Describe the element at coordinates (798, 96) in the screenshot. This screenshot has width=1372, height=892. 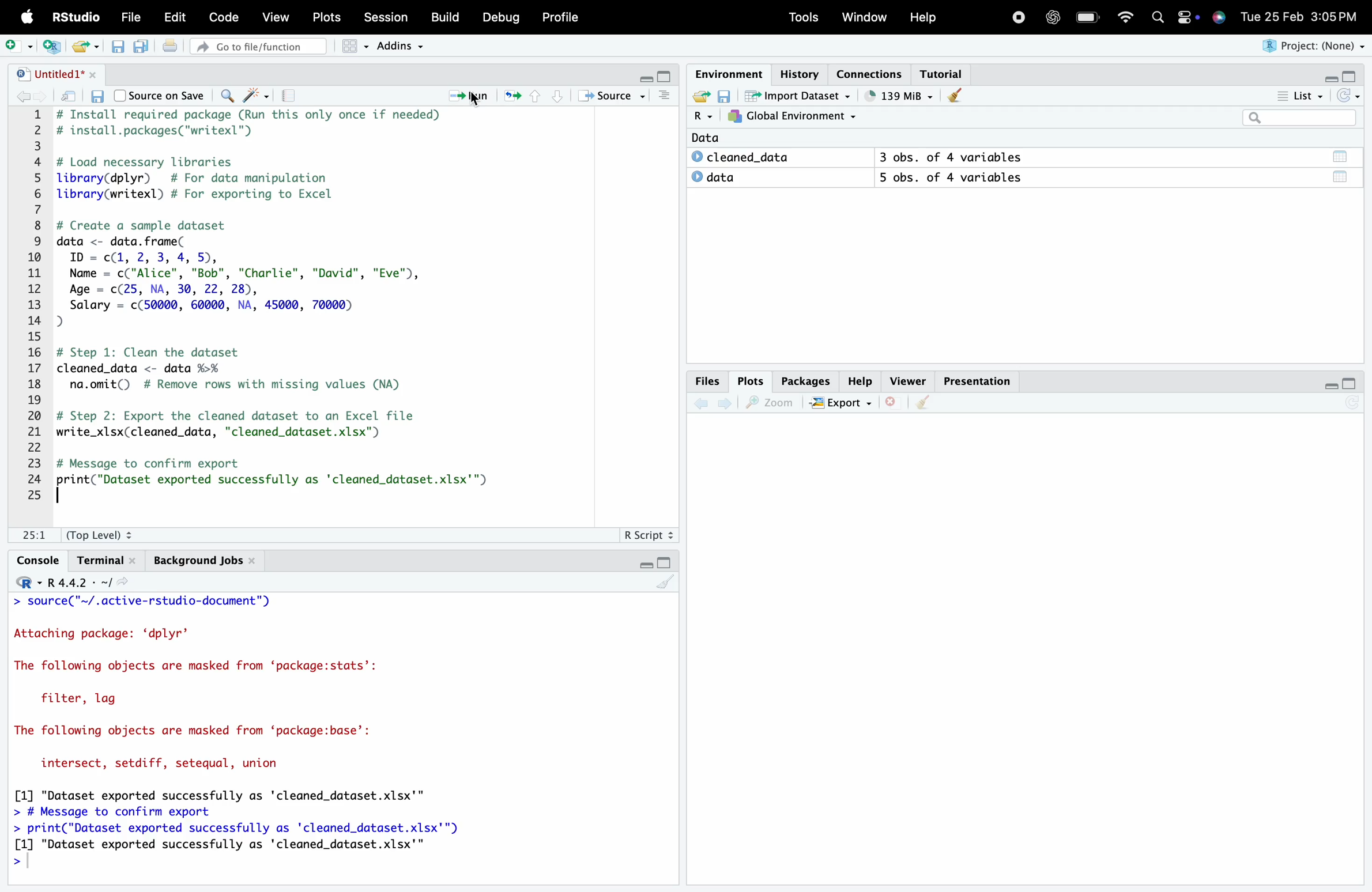
I see `Import Dataset` at that location.